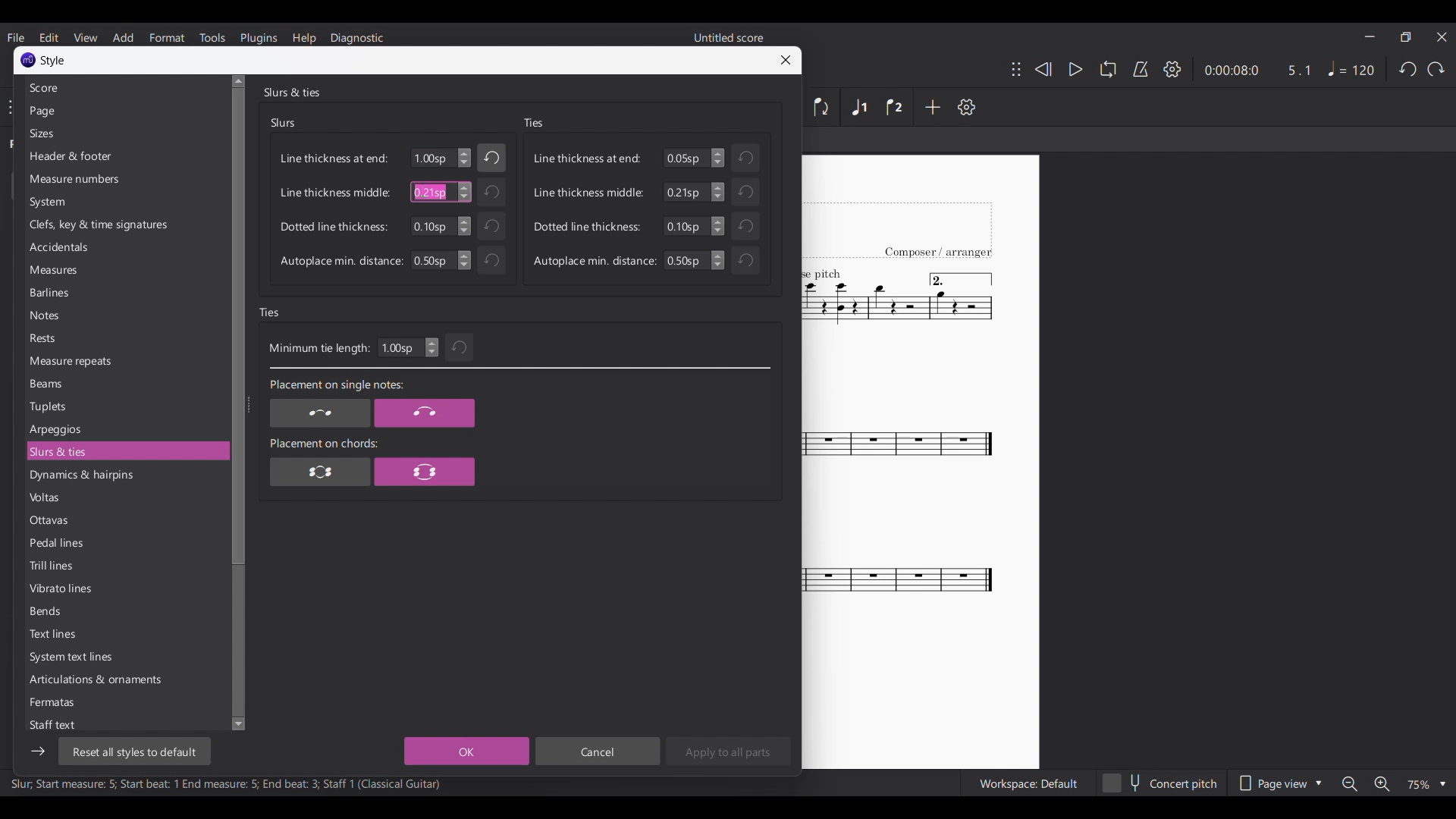  What do you see at coordinates (464, 260) in the screenshot?
I see `Increase/Decrease autoplace min. distance` at bounding box center [464, 260].